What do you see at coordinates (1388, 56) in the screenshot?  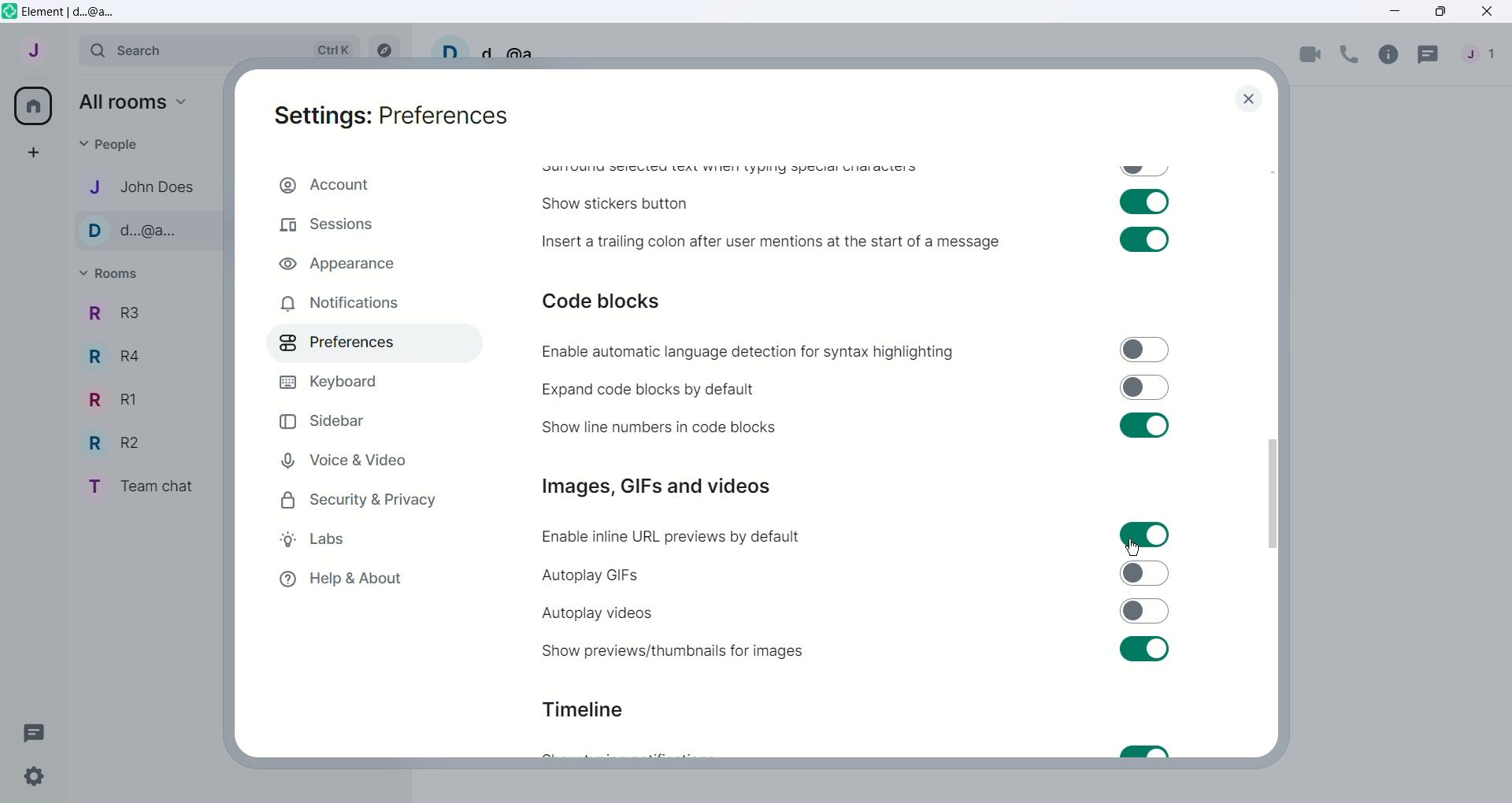 I see `Room info` at bounding box center [1388, 56].